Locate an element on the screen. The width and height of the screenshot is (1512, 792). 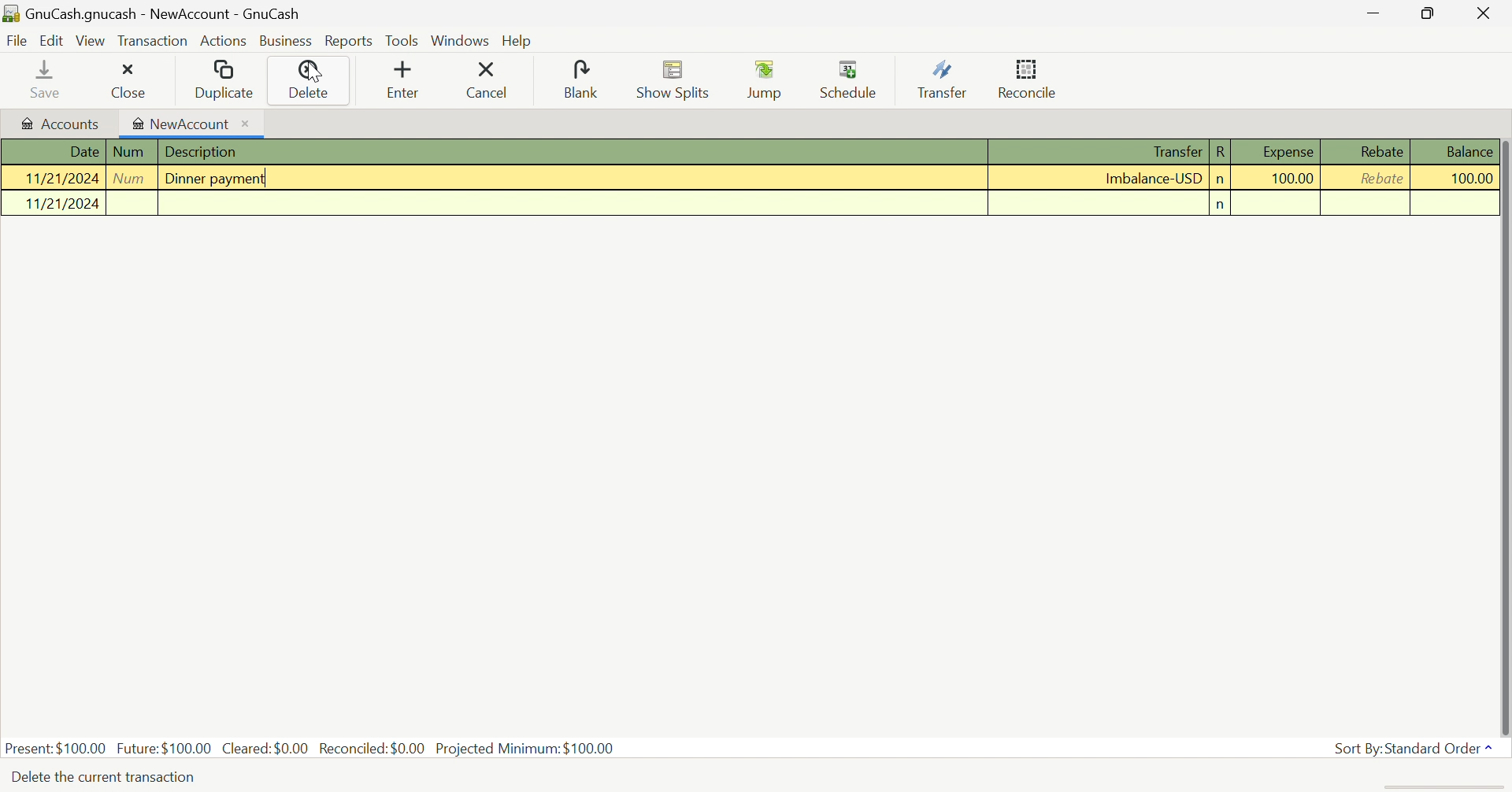
rebate is located at coordinates (1377, 176).